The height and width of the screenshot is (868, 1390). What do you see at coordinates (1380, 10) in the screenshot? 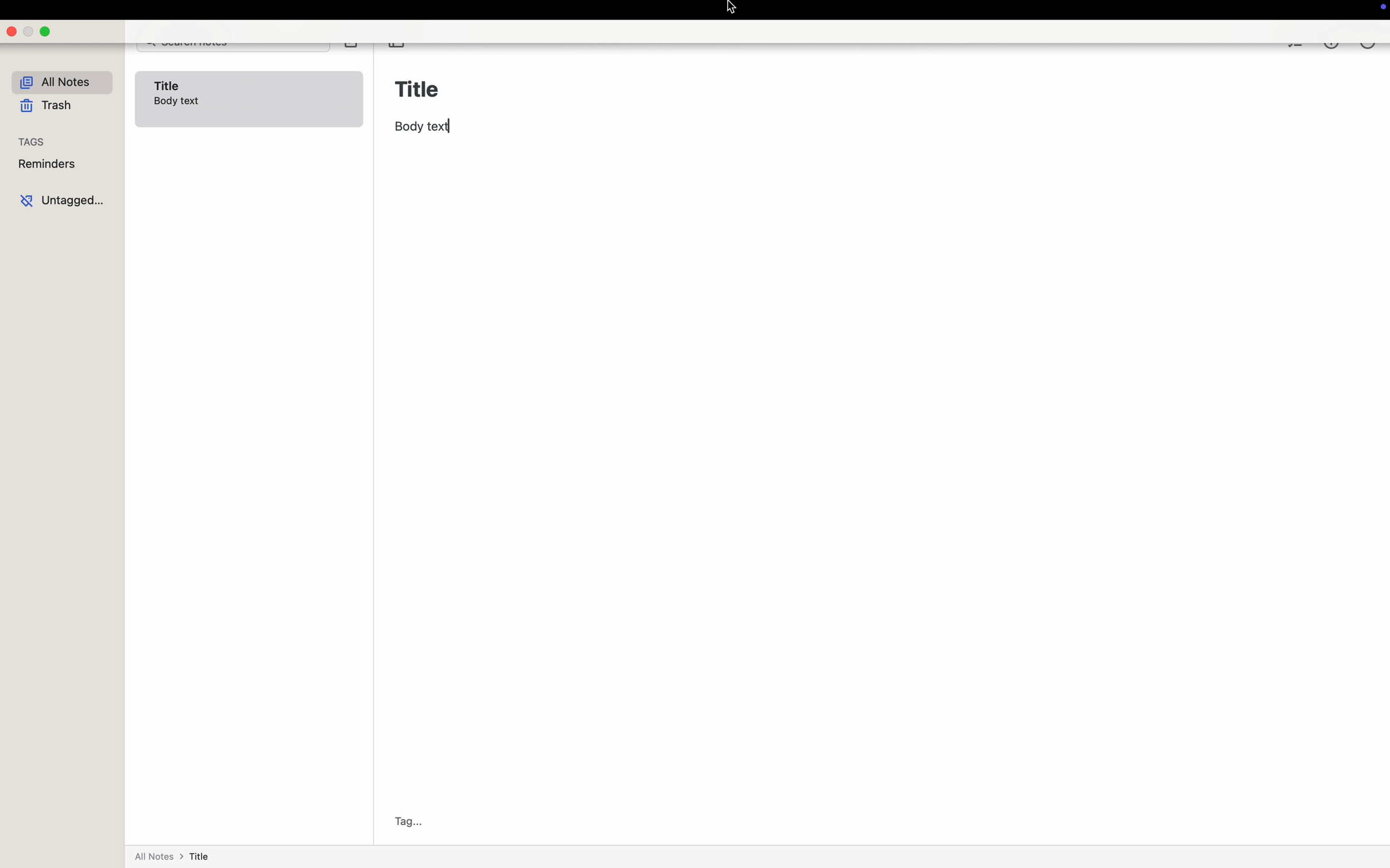
I see `screen controls` at bounding box center [1380, 10].